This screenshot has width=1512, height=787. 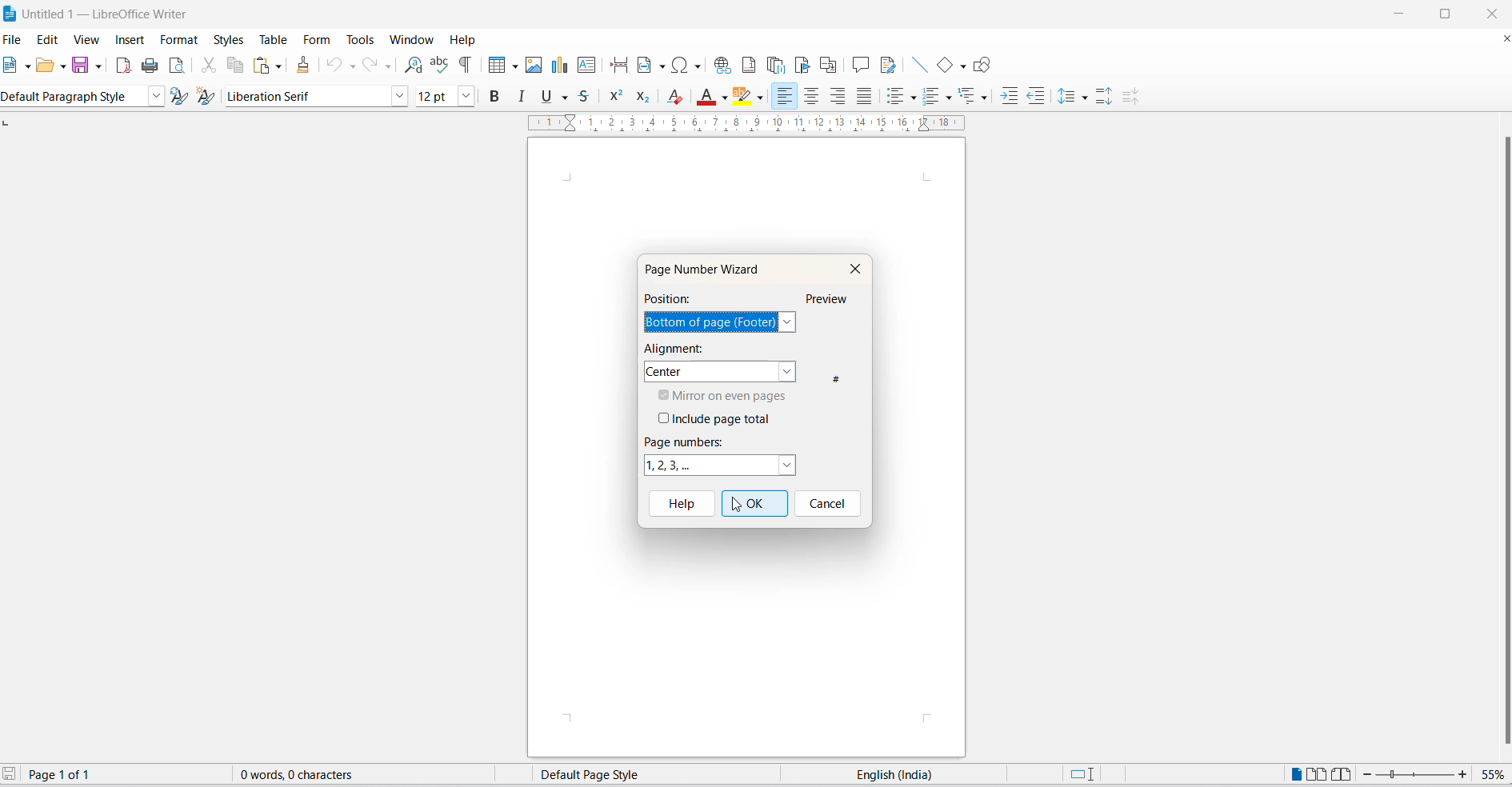 I want to click on special characters, so click(x=689, y=66).